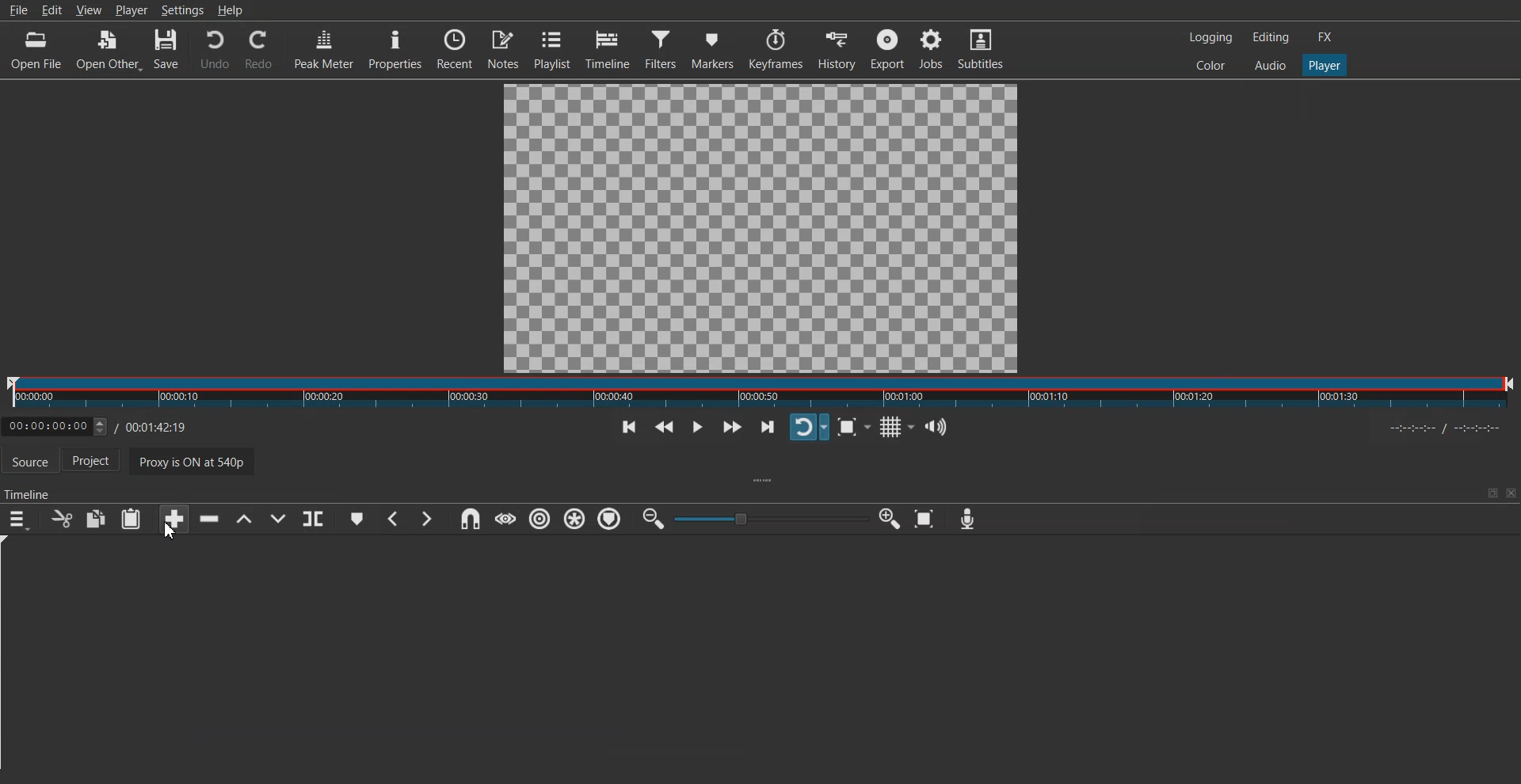 The image size is (1521, 784). Describe the element at coordinates (838, 49) in the screenshot. I see `History` at that location.